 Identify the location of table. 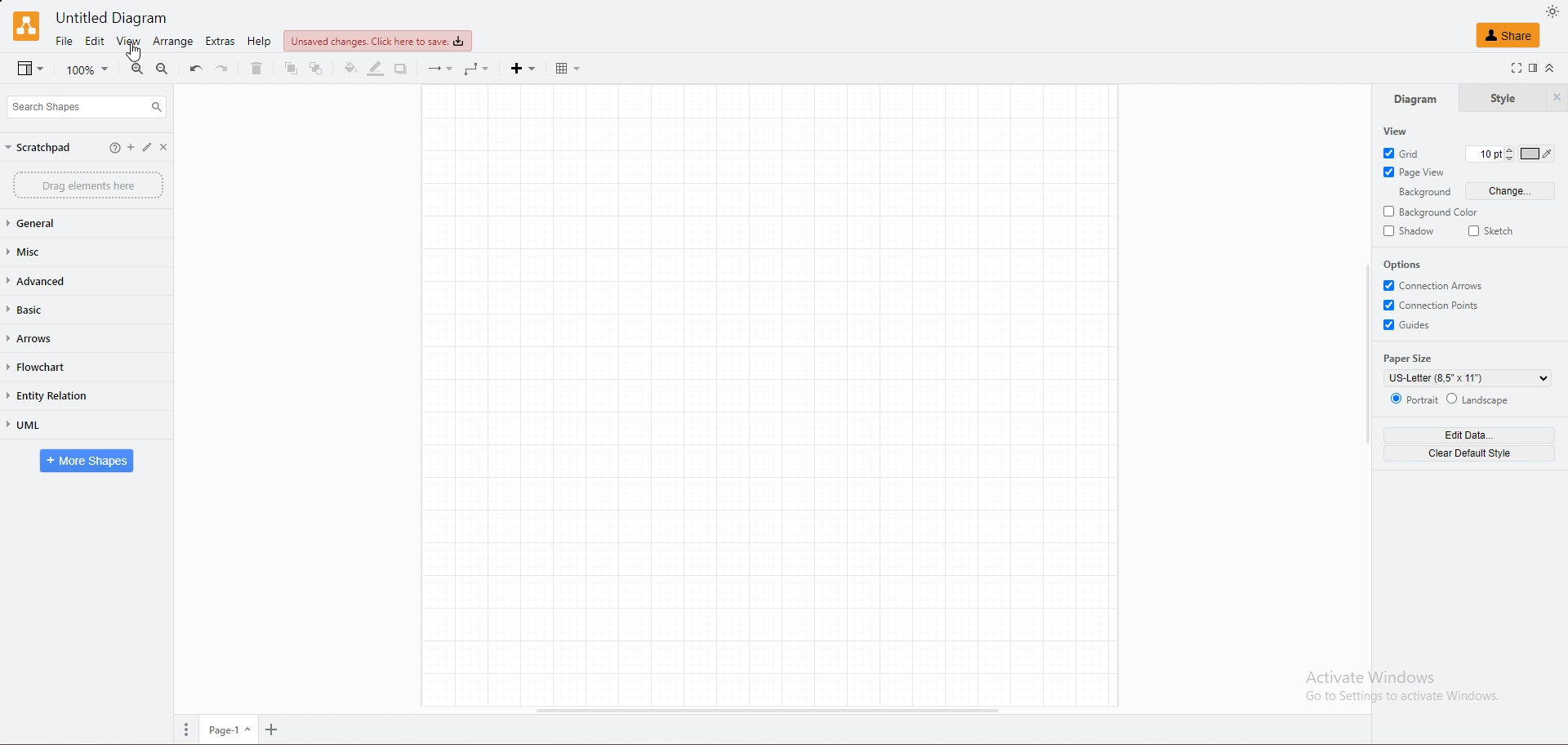
(568, 68).